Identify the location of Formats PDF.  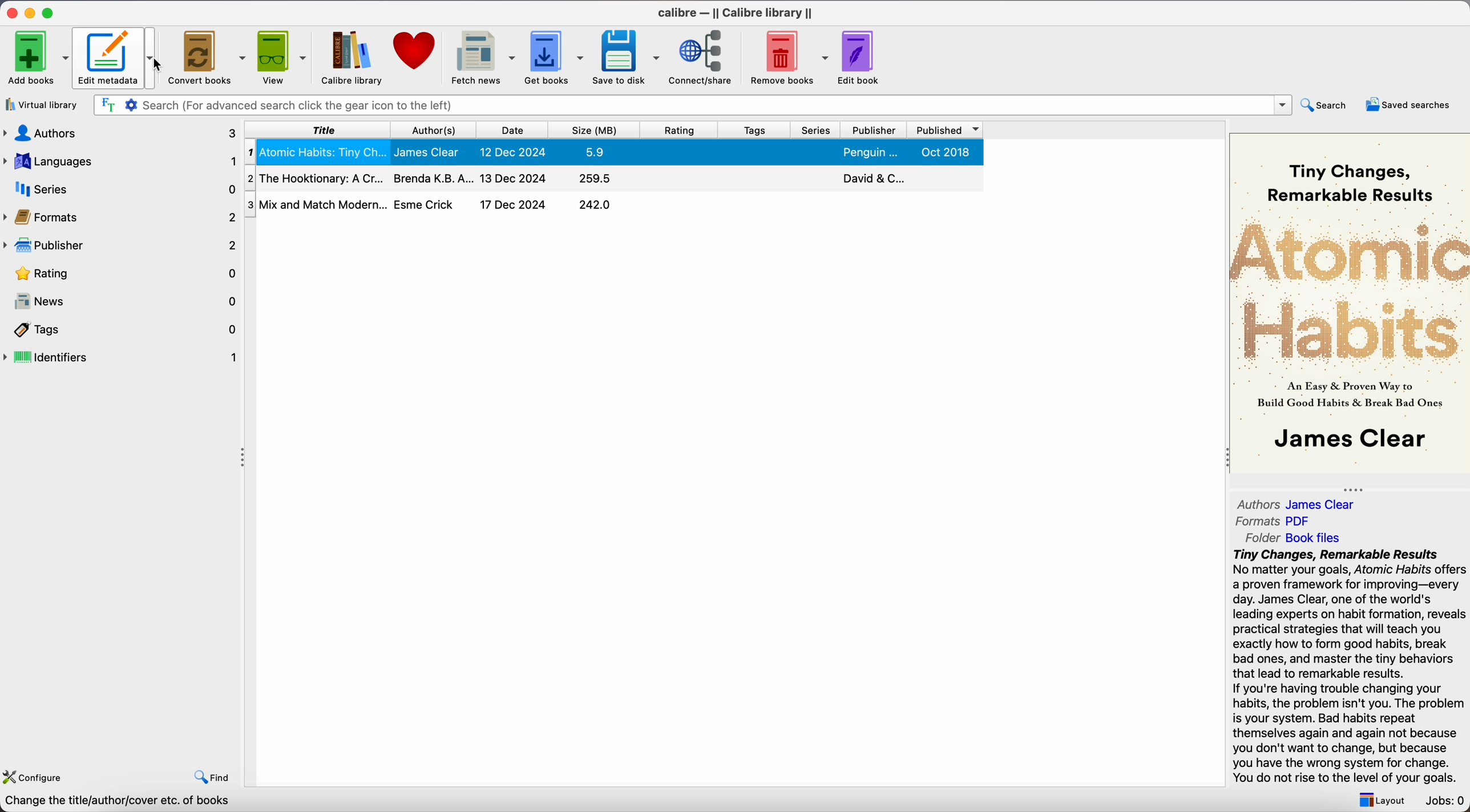
(1273, 523).